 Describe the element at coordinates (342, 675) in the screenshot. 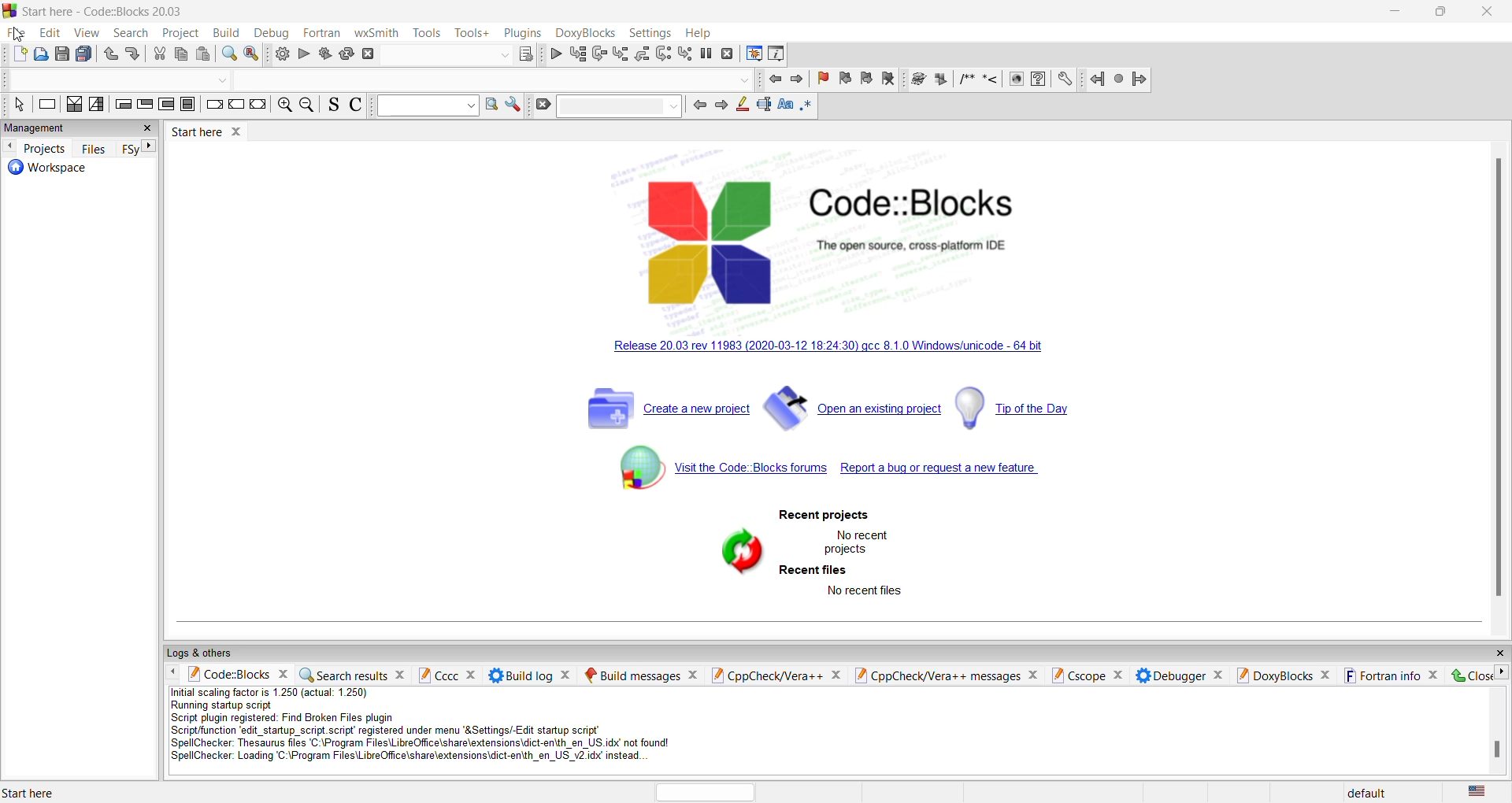

I see `search result pane` at that location.